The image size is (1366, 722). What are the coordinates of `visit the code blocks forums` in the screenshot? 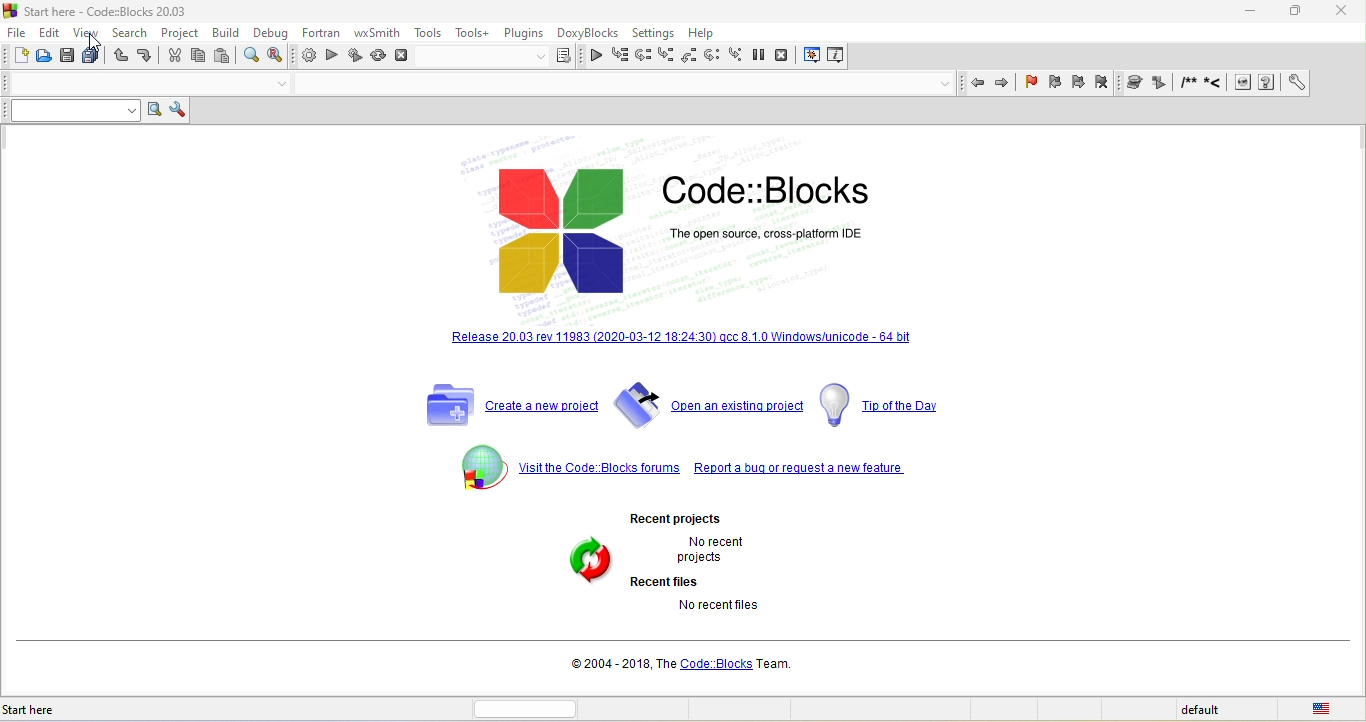 It's located at (563, 465).